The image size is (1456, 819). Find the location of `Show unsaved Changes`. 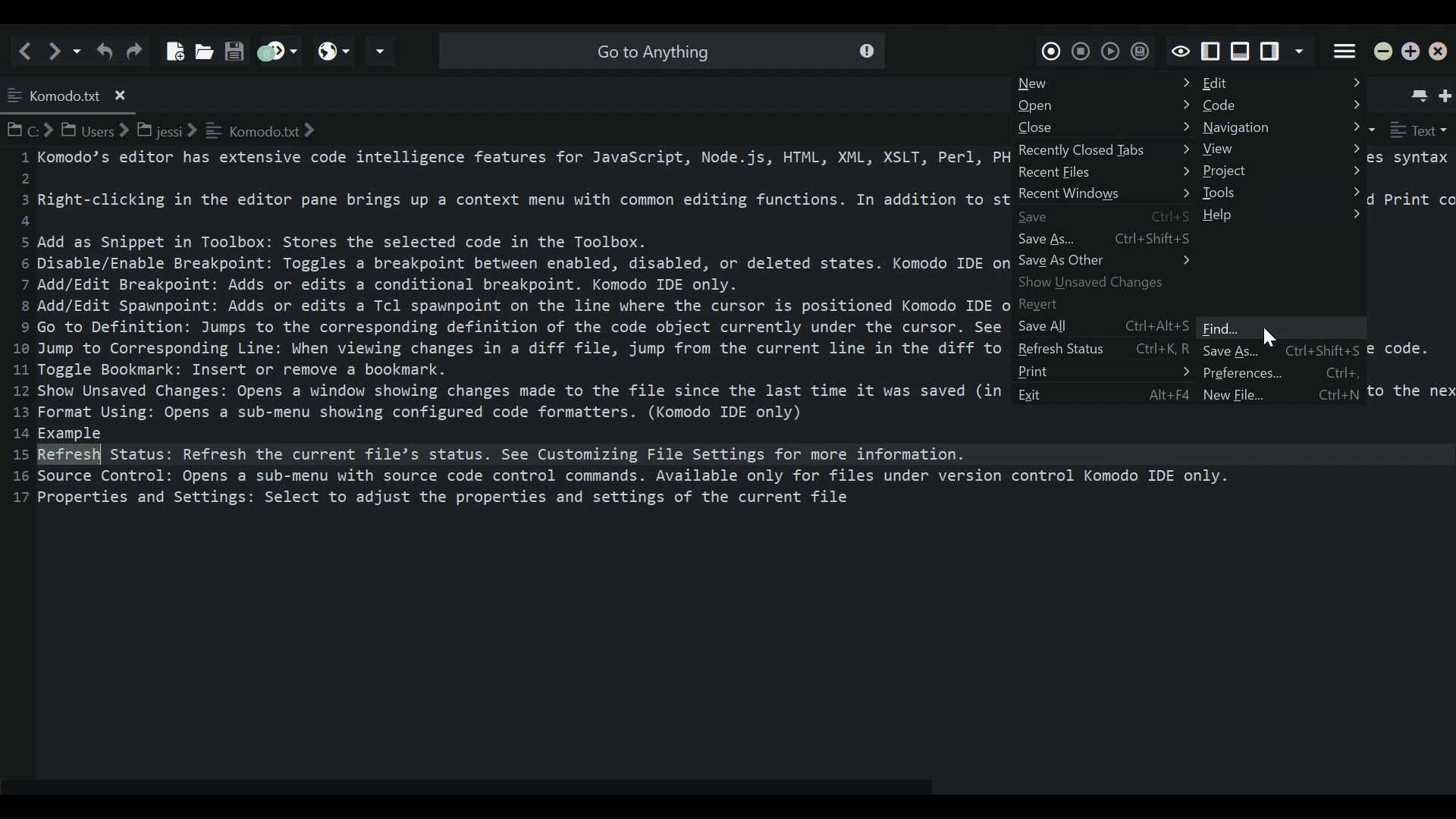

Show unsaved Changes is located at coordinates (1105, 281).